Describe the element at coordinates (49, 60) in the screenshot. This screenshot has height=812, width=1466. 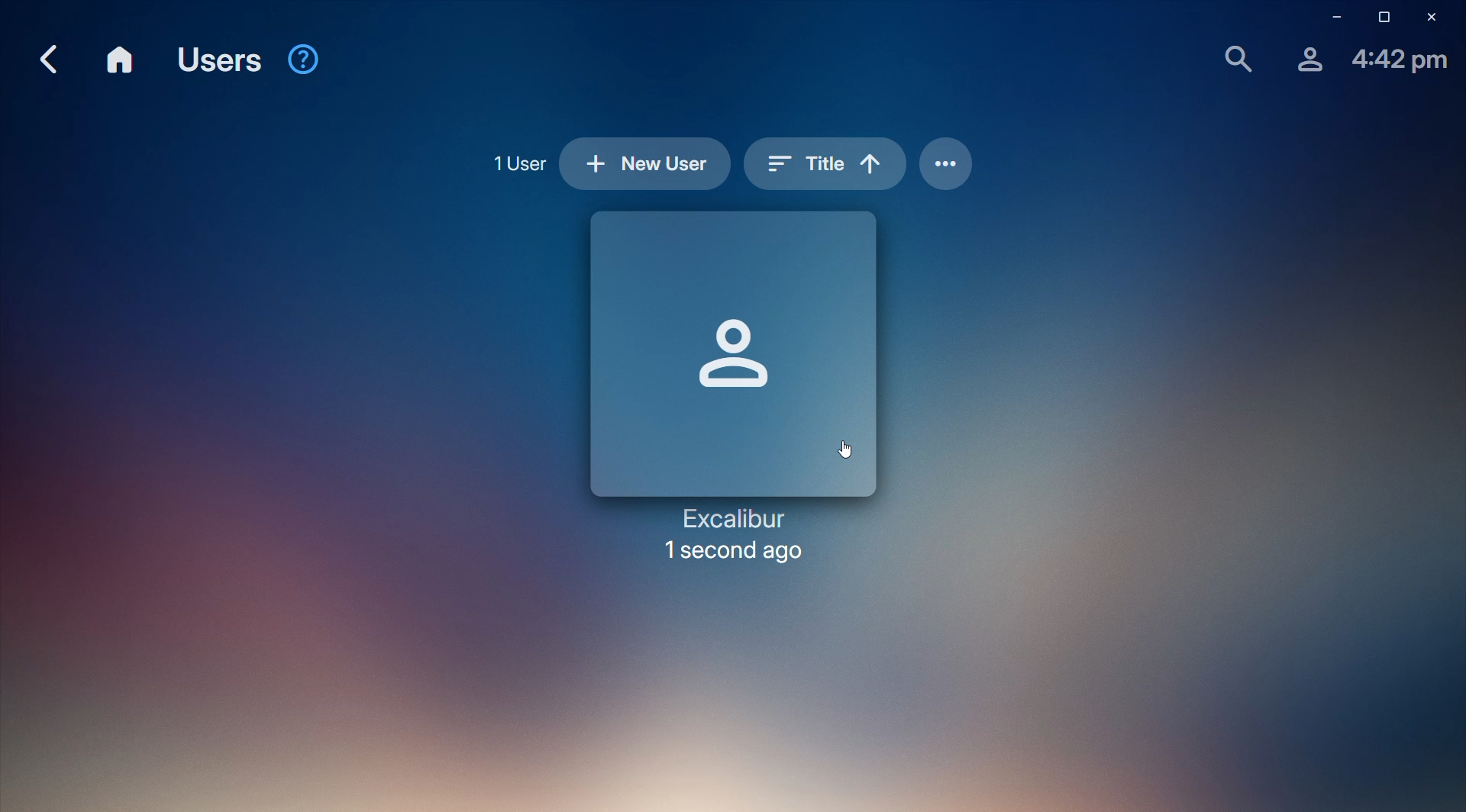
I see `Back` at that location.